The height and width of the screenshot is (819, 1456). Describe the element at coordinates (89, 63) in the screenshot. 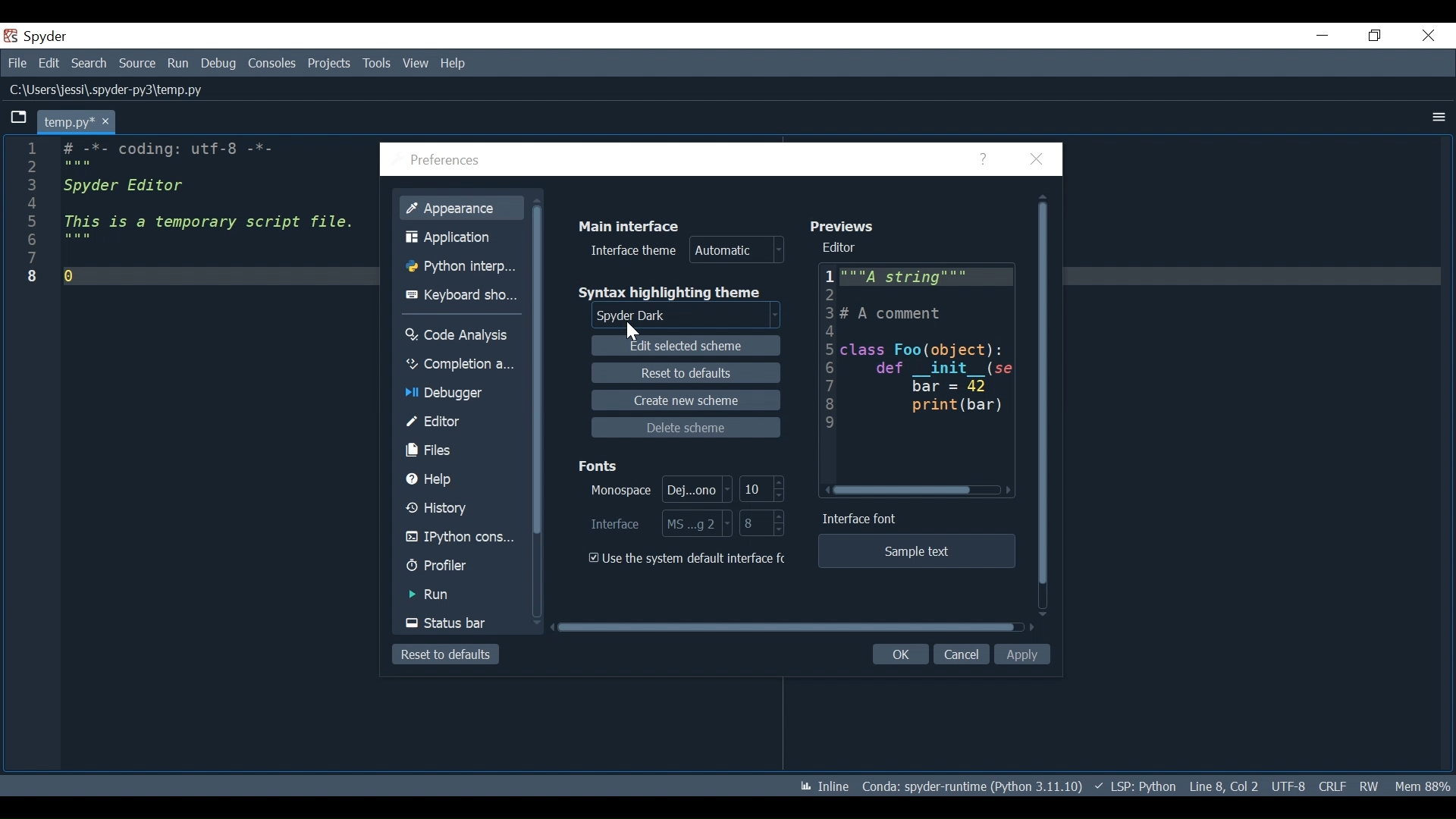

I see `Search` at that location.